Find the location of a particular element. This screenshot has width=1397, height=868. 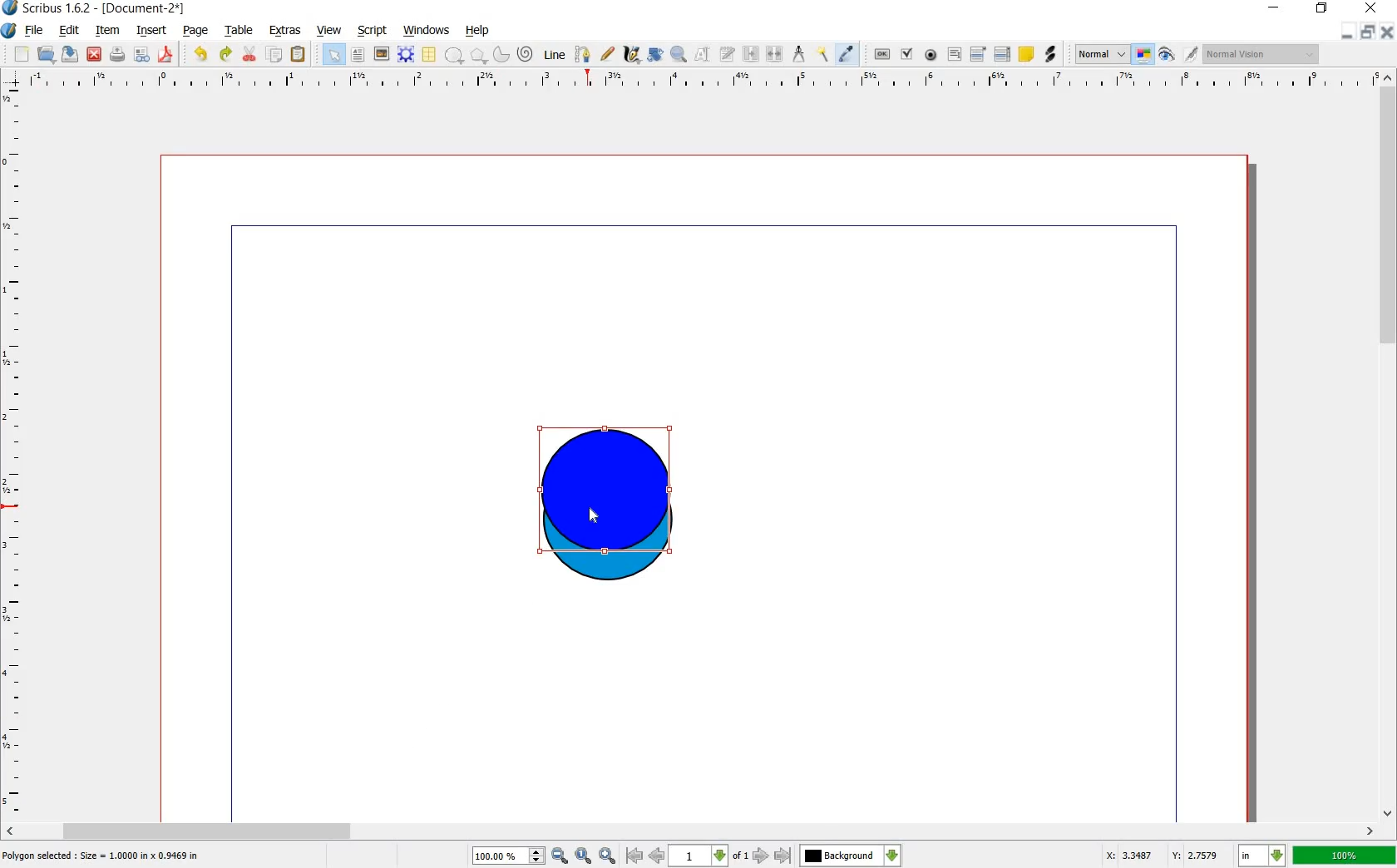

arc is located at coordinates (501, 57).